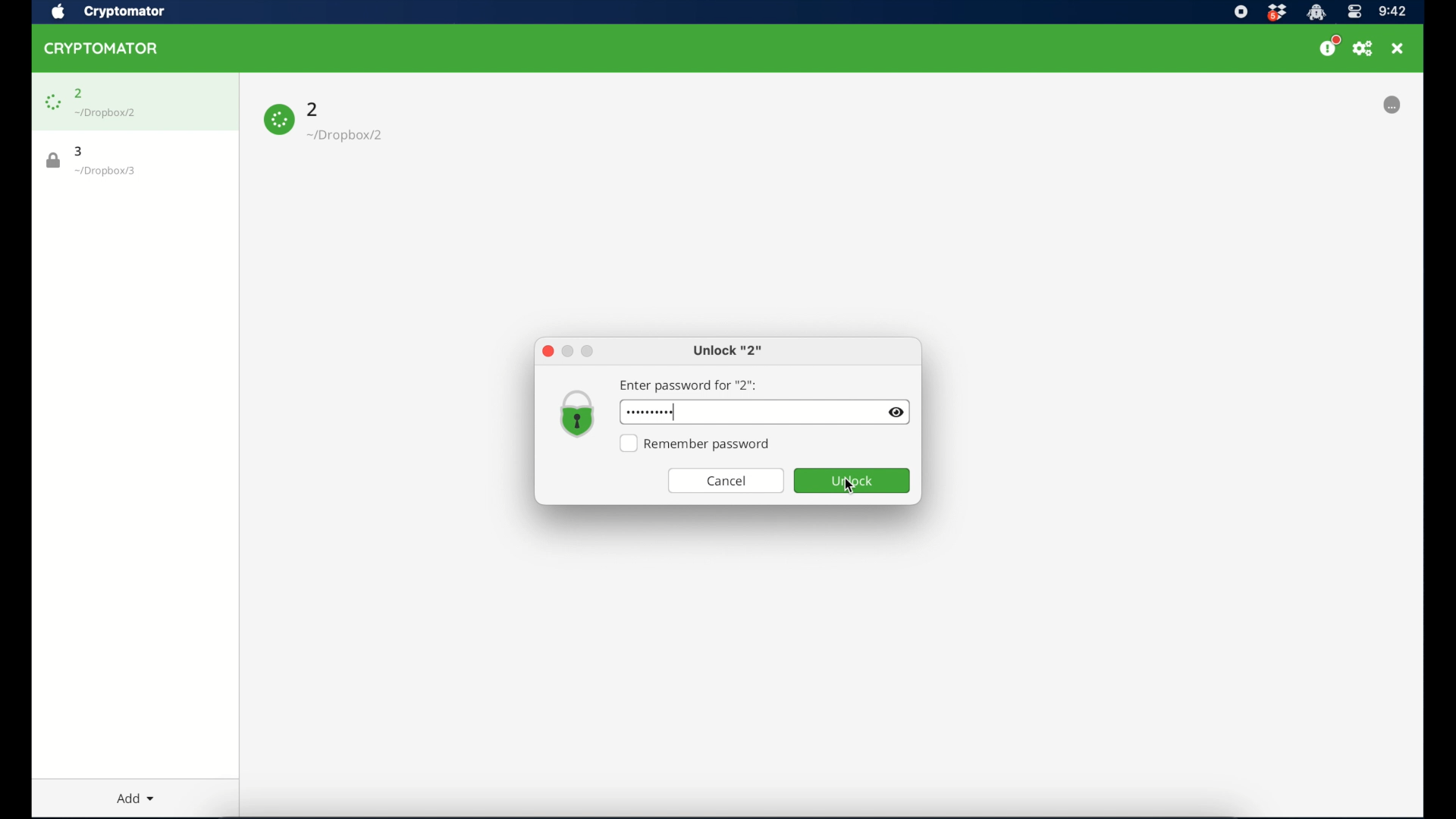  Describe the element at coordinates (850, 486) in the screenshot. I see `cursor` at that location.